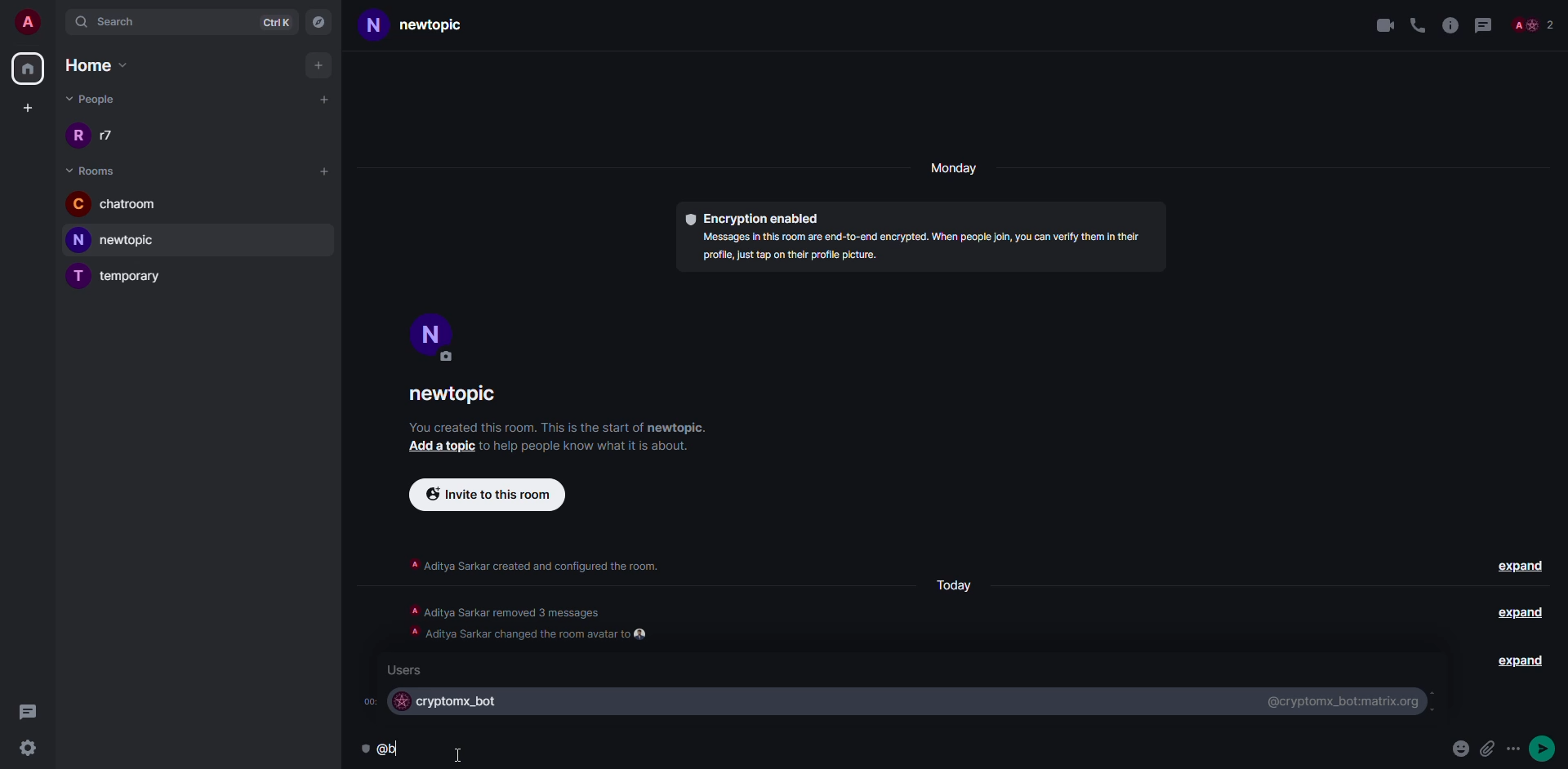 The image size is (1568, 769). What do you see at coordinates (1532, 26) in the screenshot?
I see `people` at bounding box center [1532, 26].